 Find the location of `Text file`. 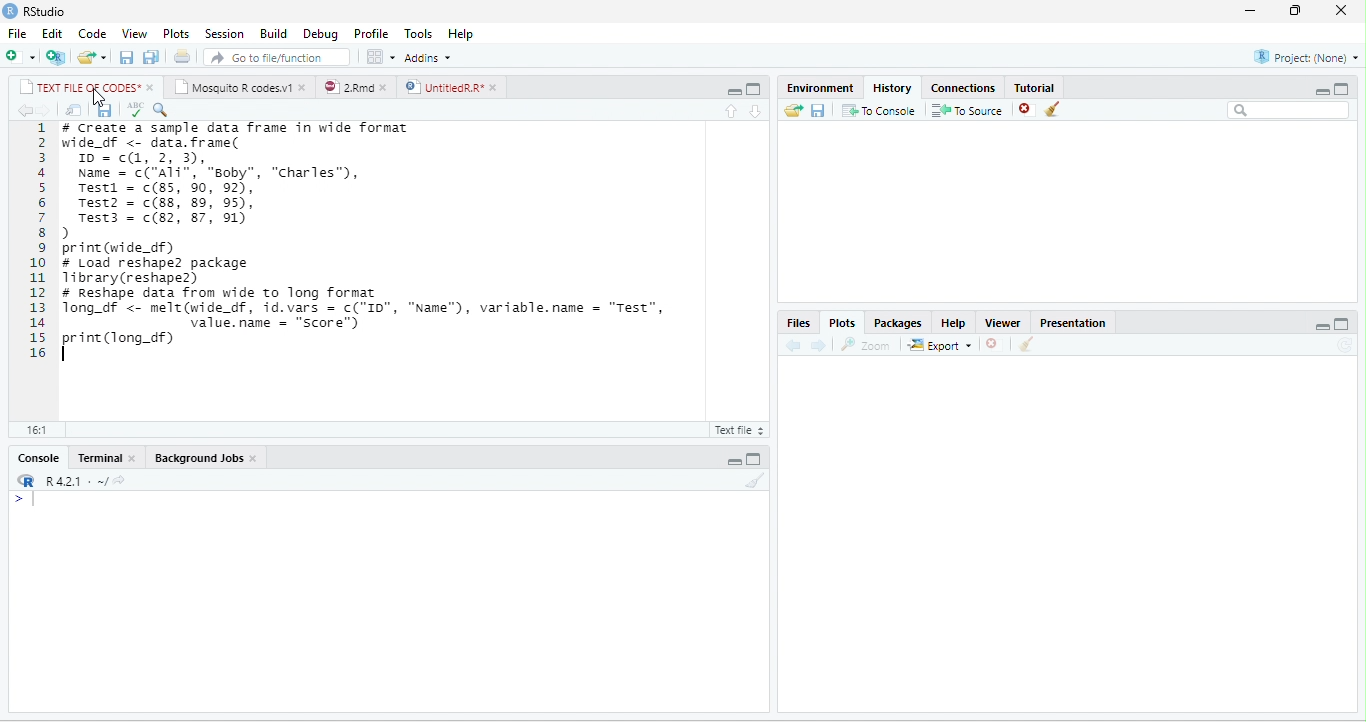

Text file is located at coordinates (737, 429).